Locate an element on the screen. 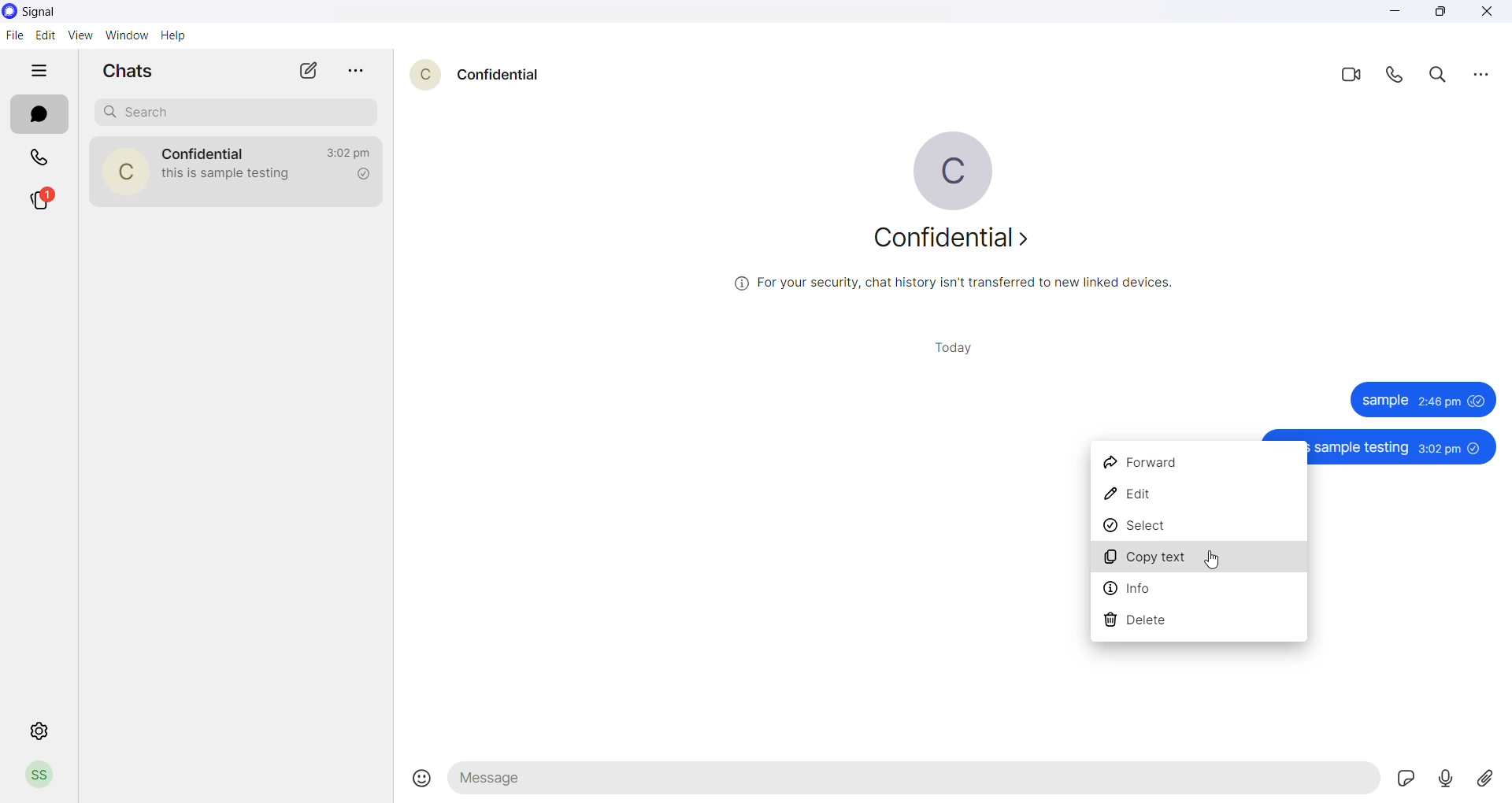  voice note is located at coordinates (1444, 779).